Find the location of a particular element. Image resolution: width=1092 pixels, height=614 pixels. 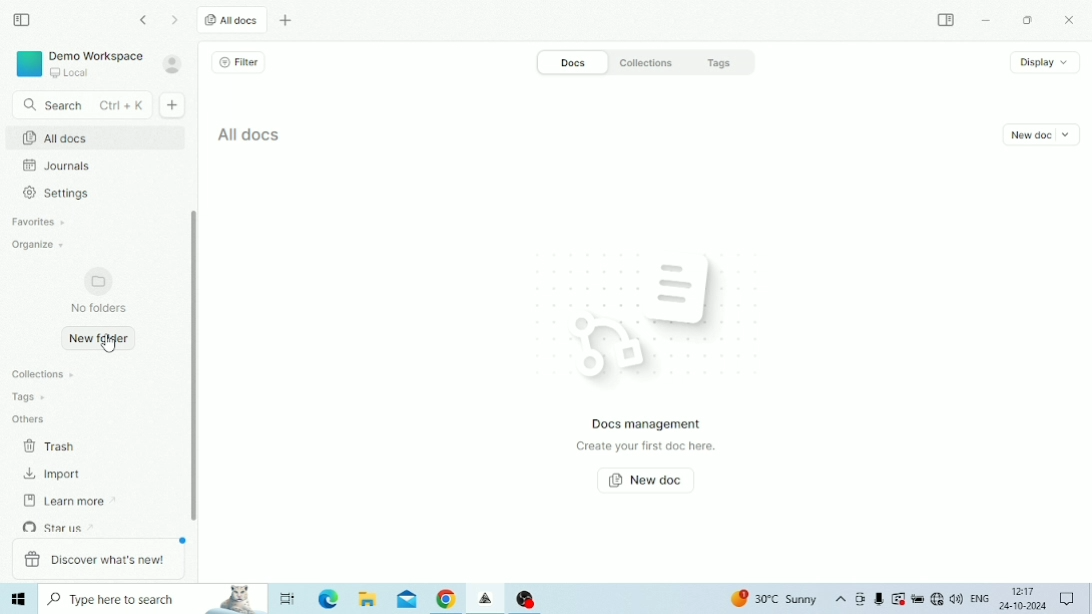

Search is located at coordinates (81, 106).